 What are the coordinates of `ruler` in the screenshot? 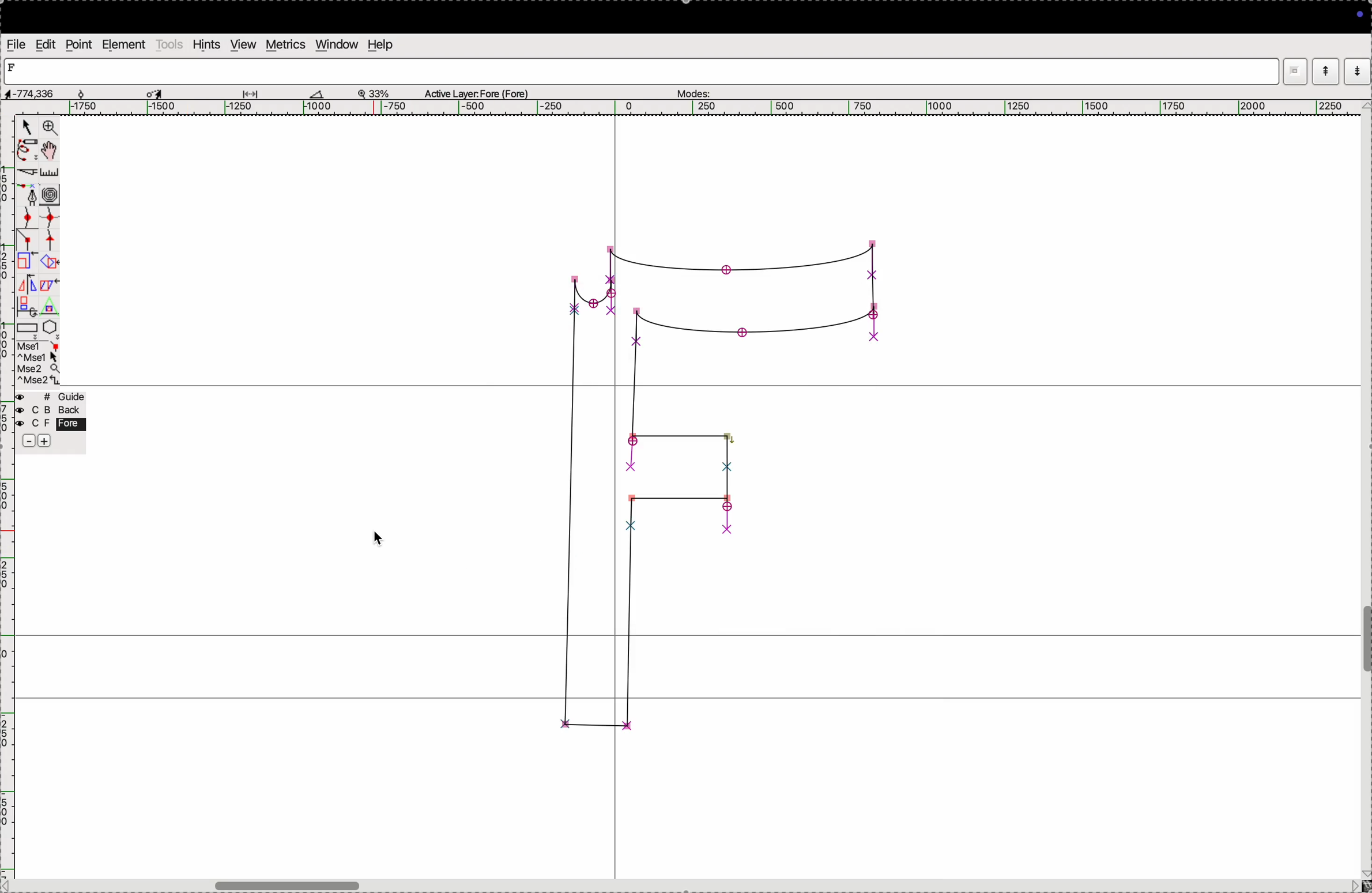 It's located at (56, 173).